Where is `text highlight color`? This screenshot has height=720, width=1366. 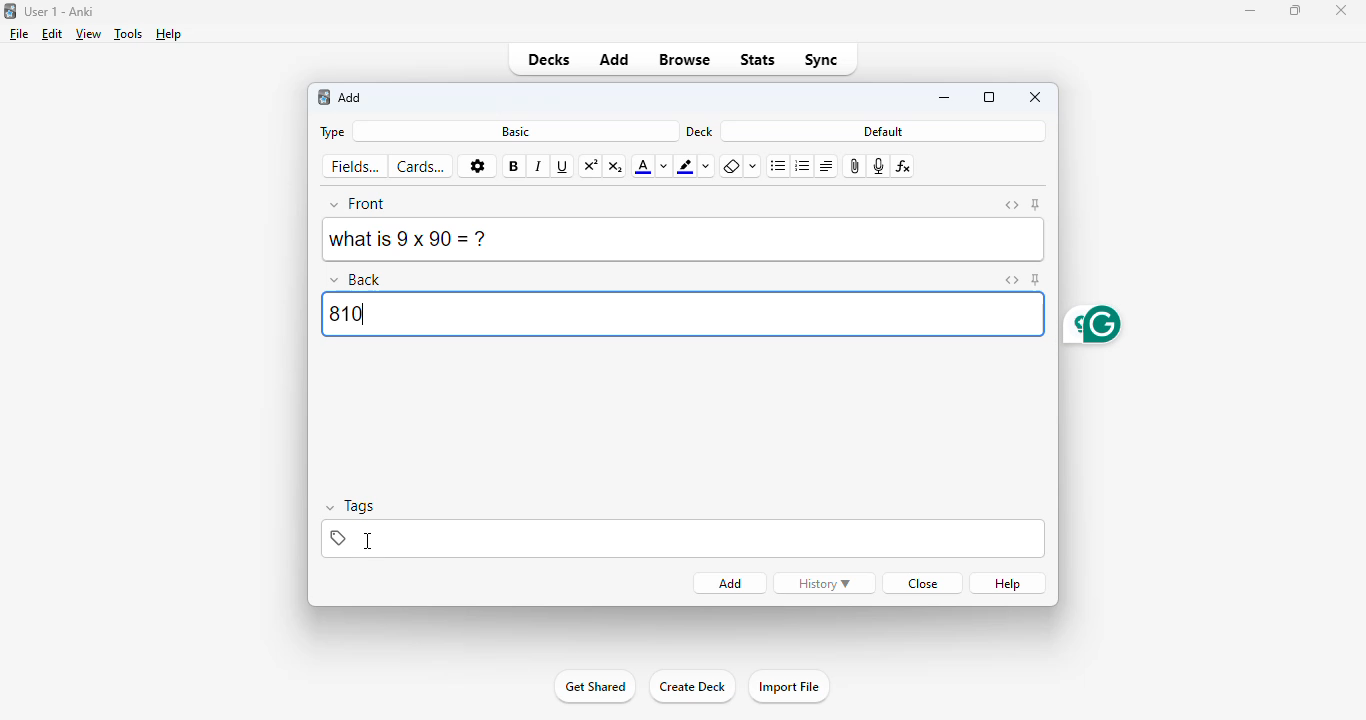
text highlight color is located at coordinates (686, 166).